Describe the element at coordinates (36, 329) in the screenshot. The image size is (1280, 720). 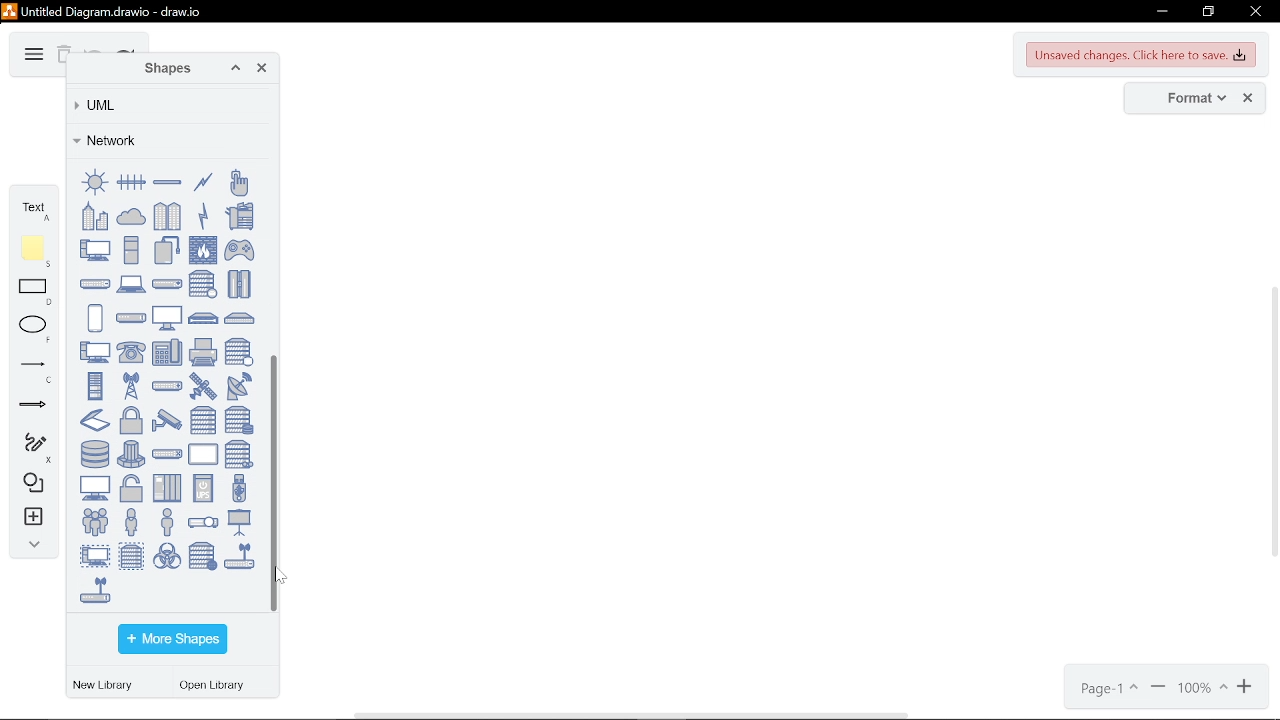
I see `ellipse` at that location.